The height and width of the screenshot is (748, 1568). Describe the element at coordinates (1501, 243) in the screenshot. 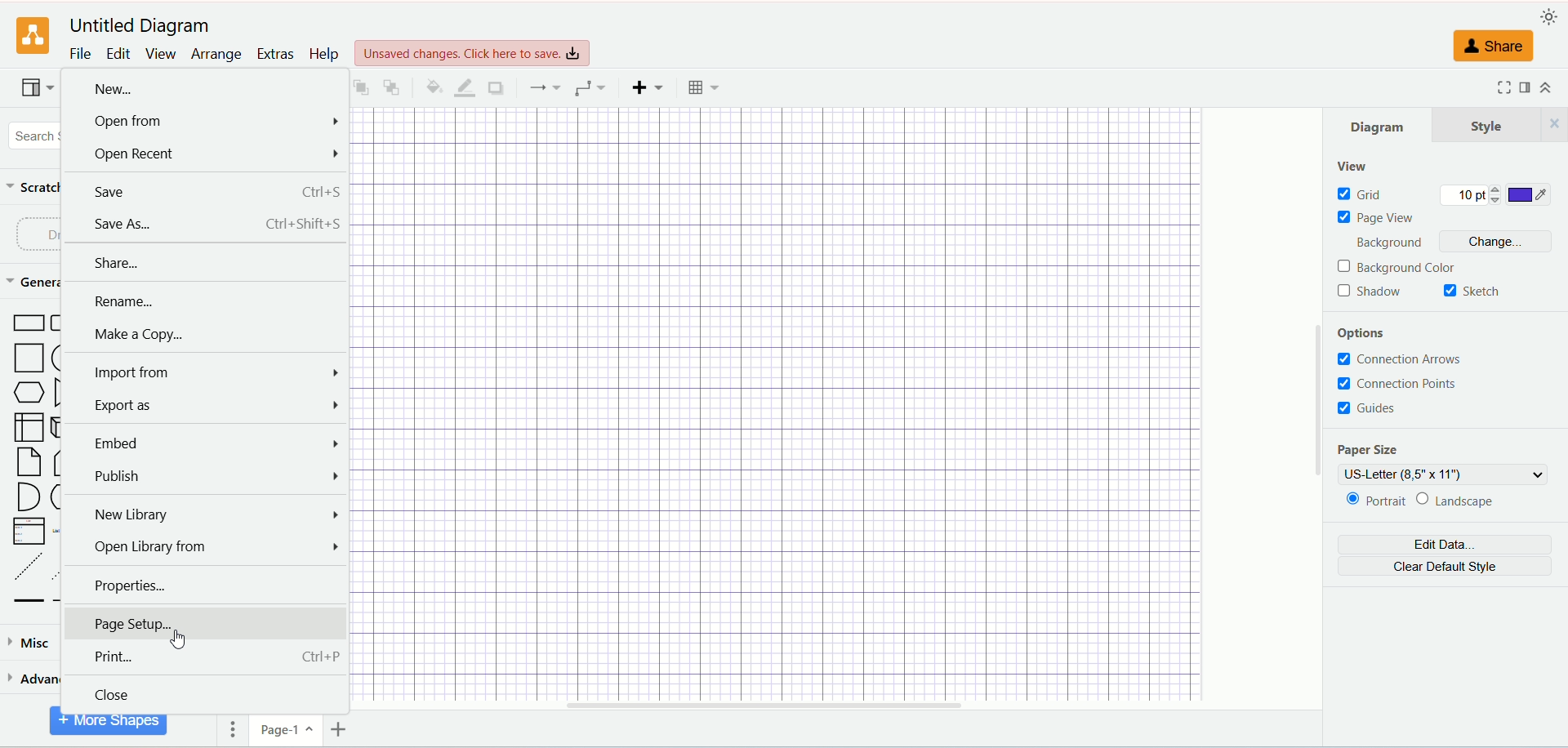

I see `change` at that location.